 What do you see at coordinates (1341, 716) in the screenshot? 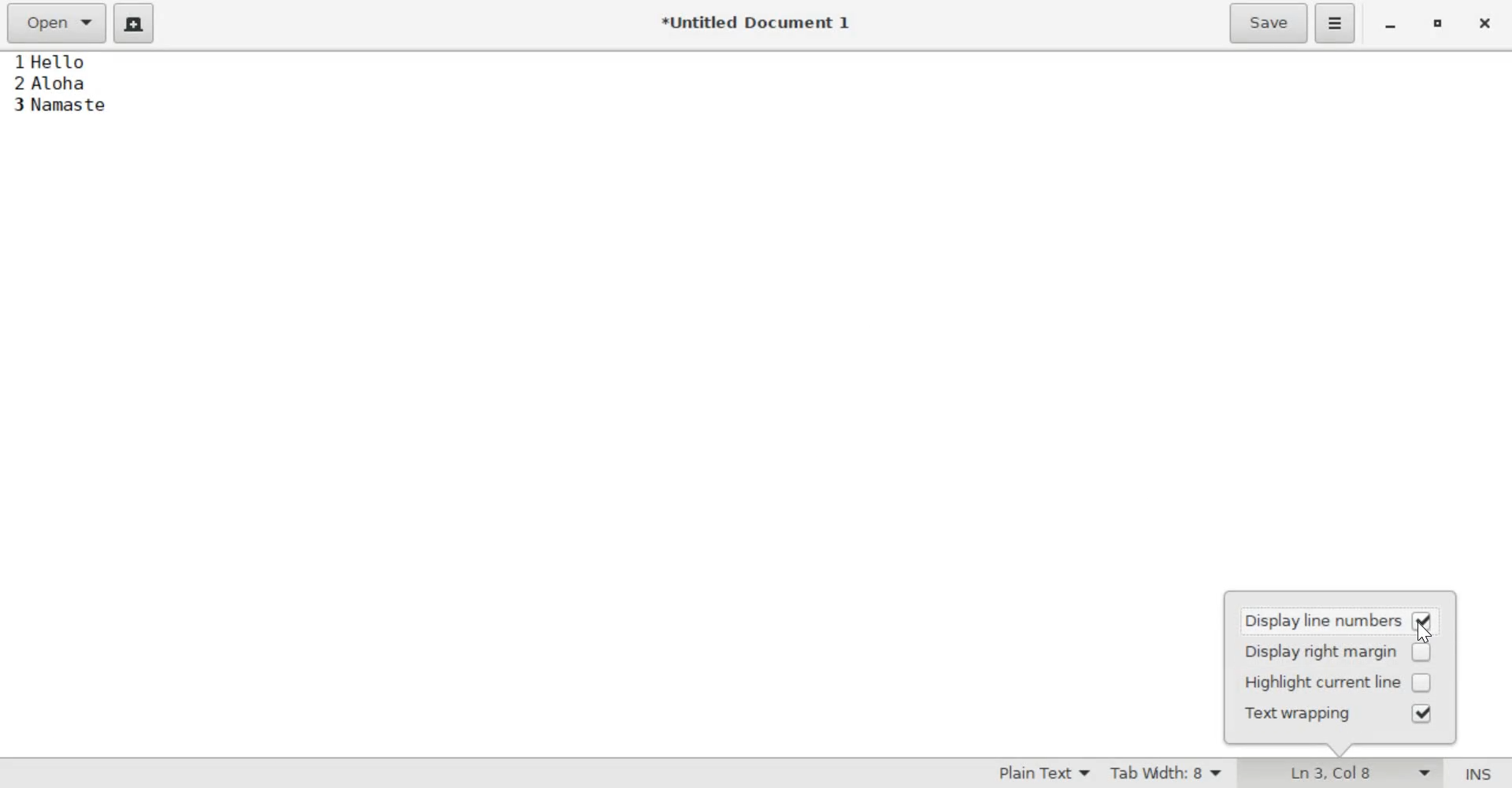
I see `text wrapping` at bounding box center [1341, 716].